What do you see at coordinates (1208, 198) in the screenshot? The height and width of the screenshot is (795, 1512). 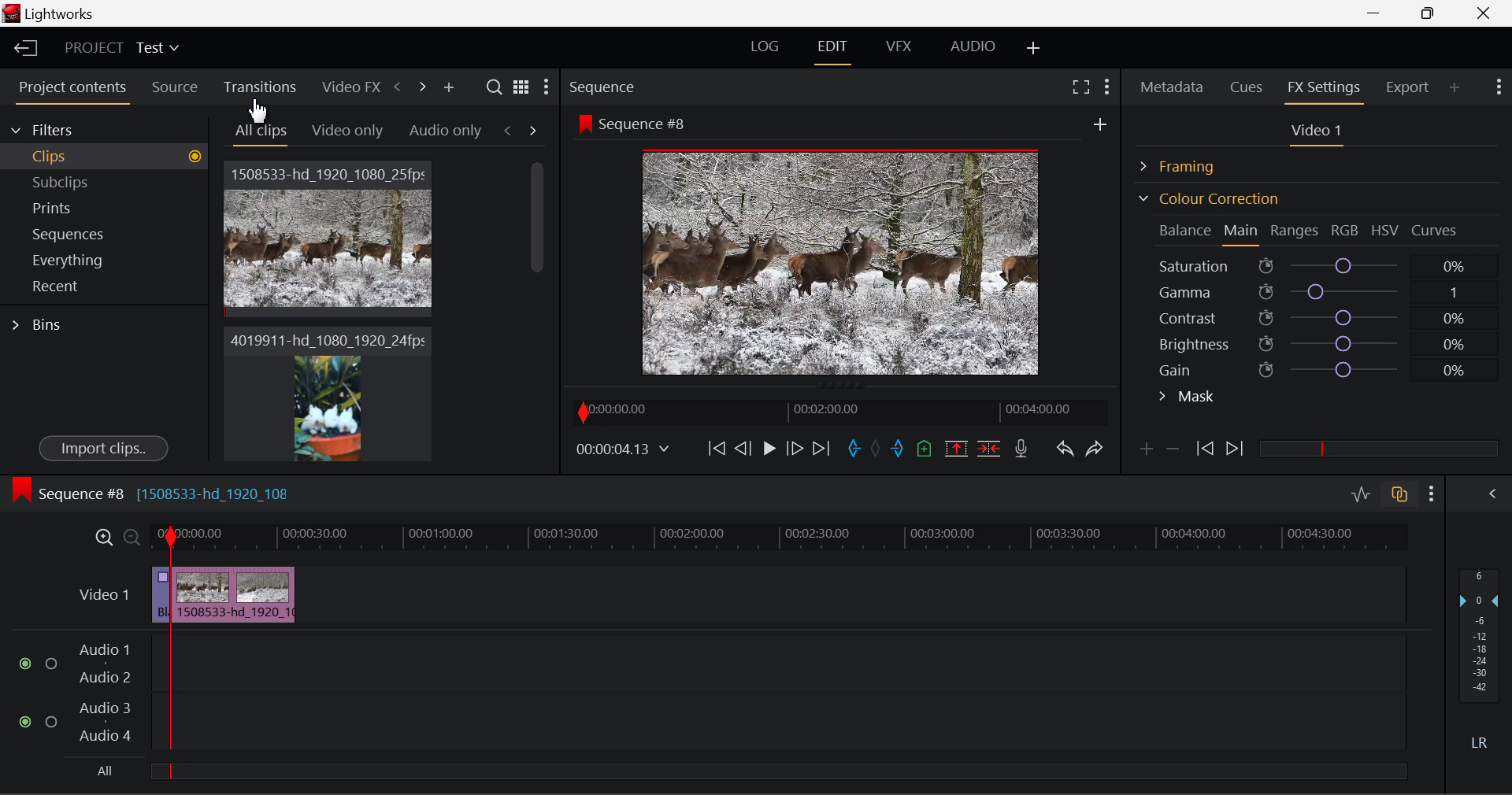 I see `Colour Correction` at bounding box center [1208, 198].